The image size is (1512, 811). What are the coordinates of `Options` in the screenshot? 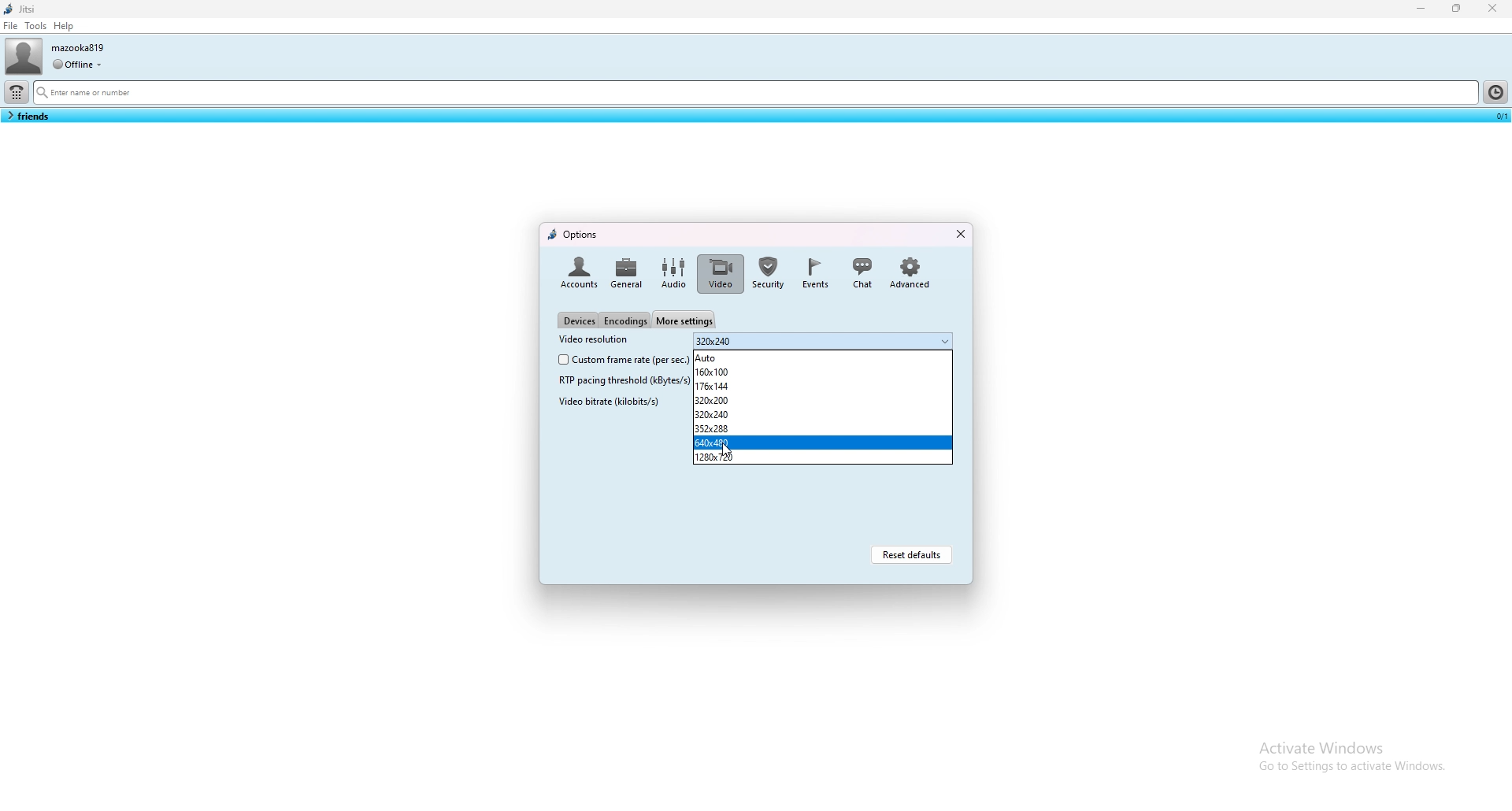 It's located at (574, 233).